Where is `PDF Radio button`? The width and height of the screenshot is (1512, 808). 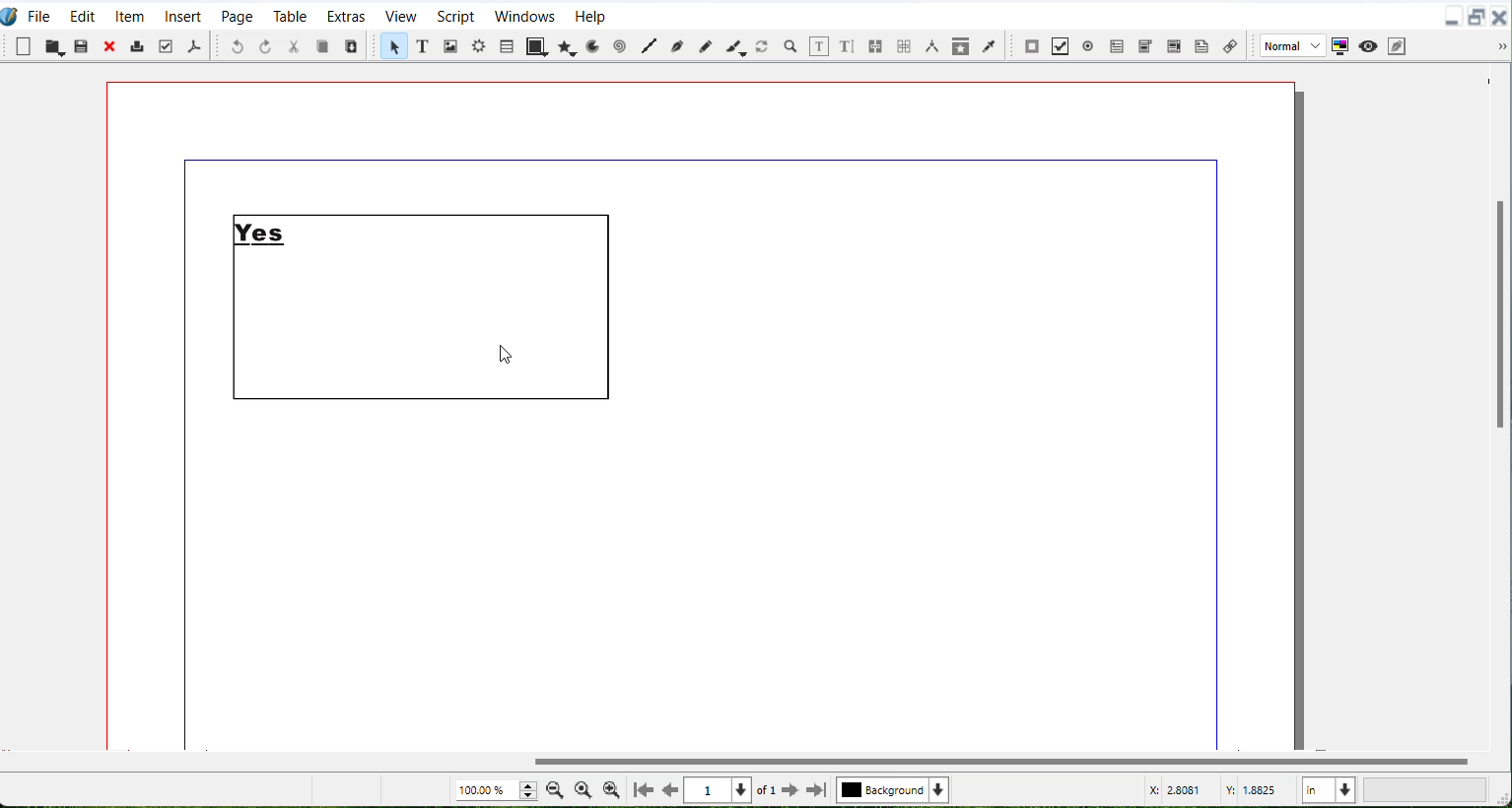 PDF Radio button is located at coordinates (1091, 43).